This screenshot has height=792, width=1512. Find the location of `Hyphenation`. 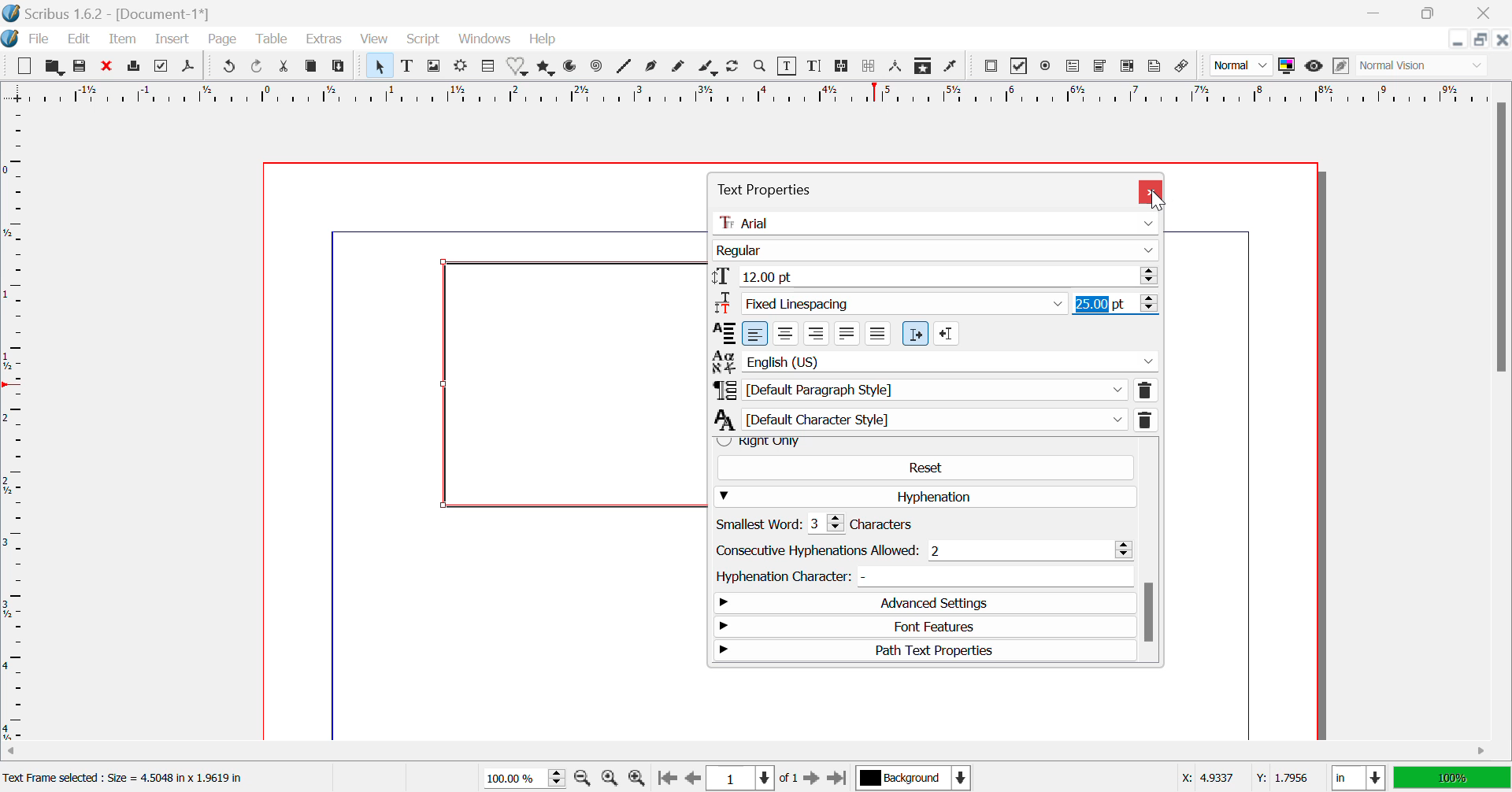

Hyphenation is located at coordinates (926, 497).